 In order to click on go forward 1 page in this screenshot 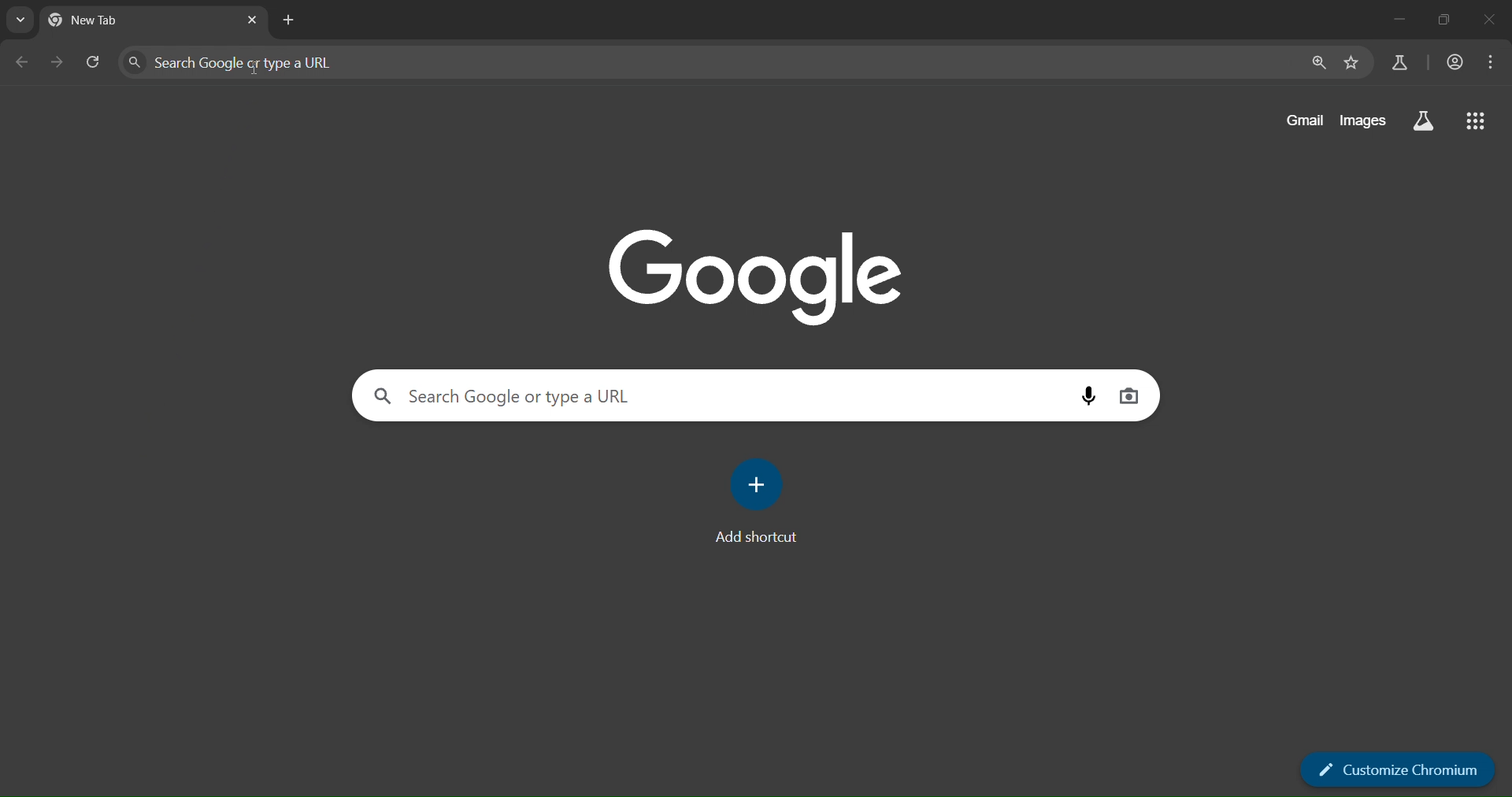, I will do `click(57, 61)`.